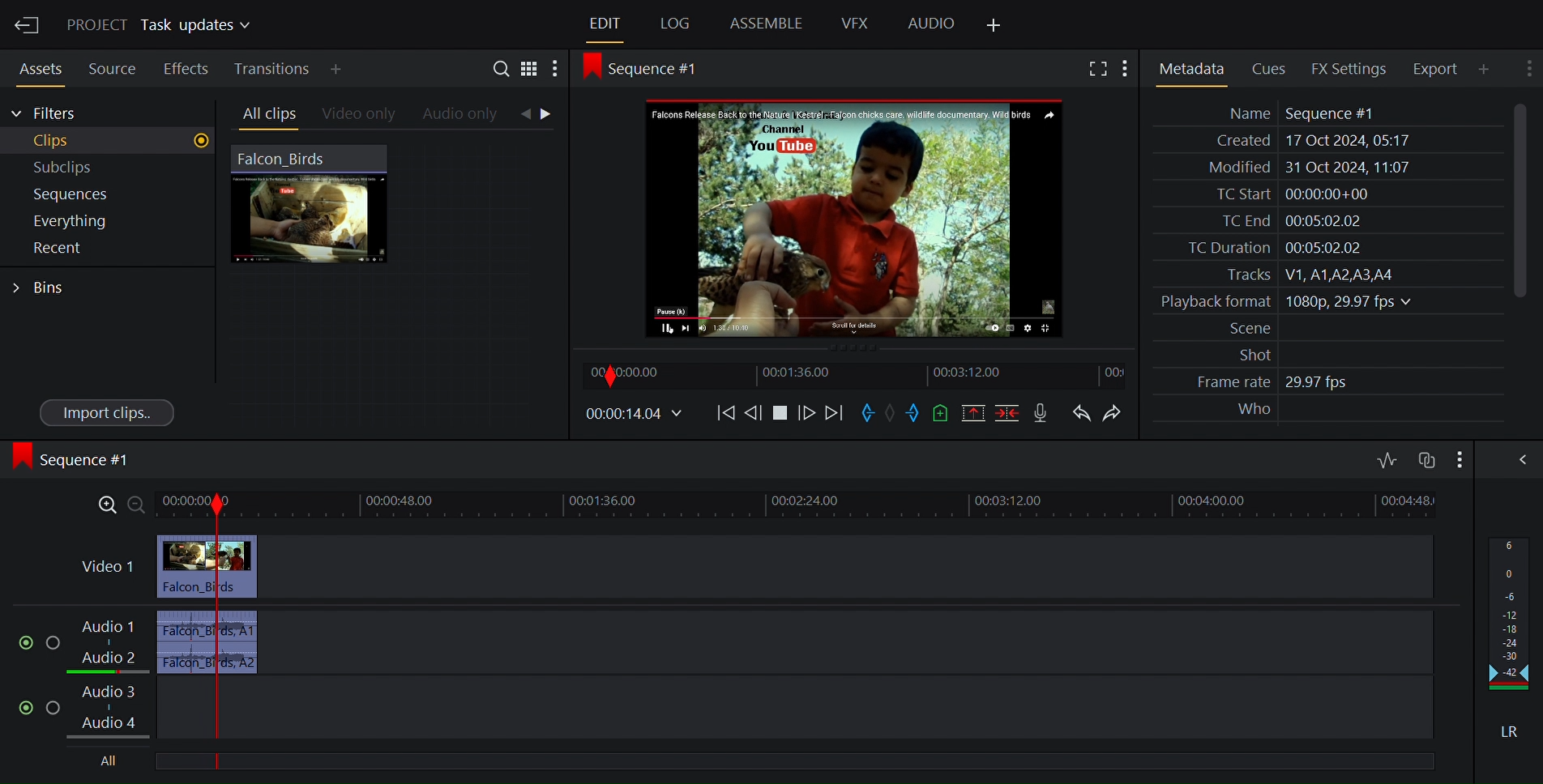 The width and height of the screenshot is (1543, 784). I want to click on Tracks V1, A1,A2,A3,A4, so click(1302, 275).